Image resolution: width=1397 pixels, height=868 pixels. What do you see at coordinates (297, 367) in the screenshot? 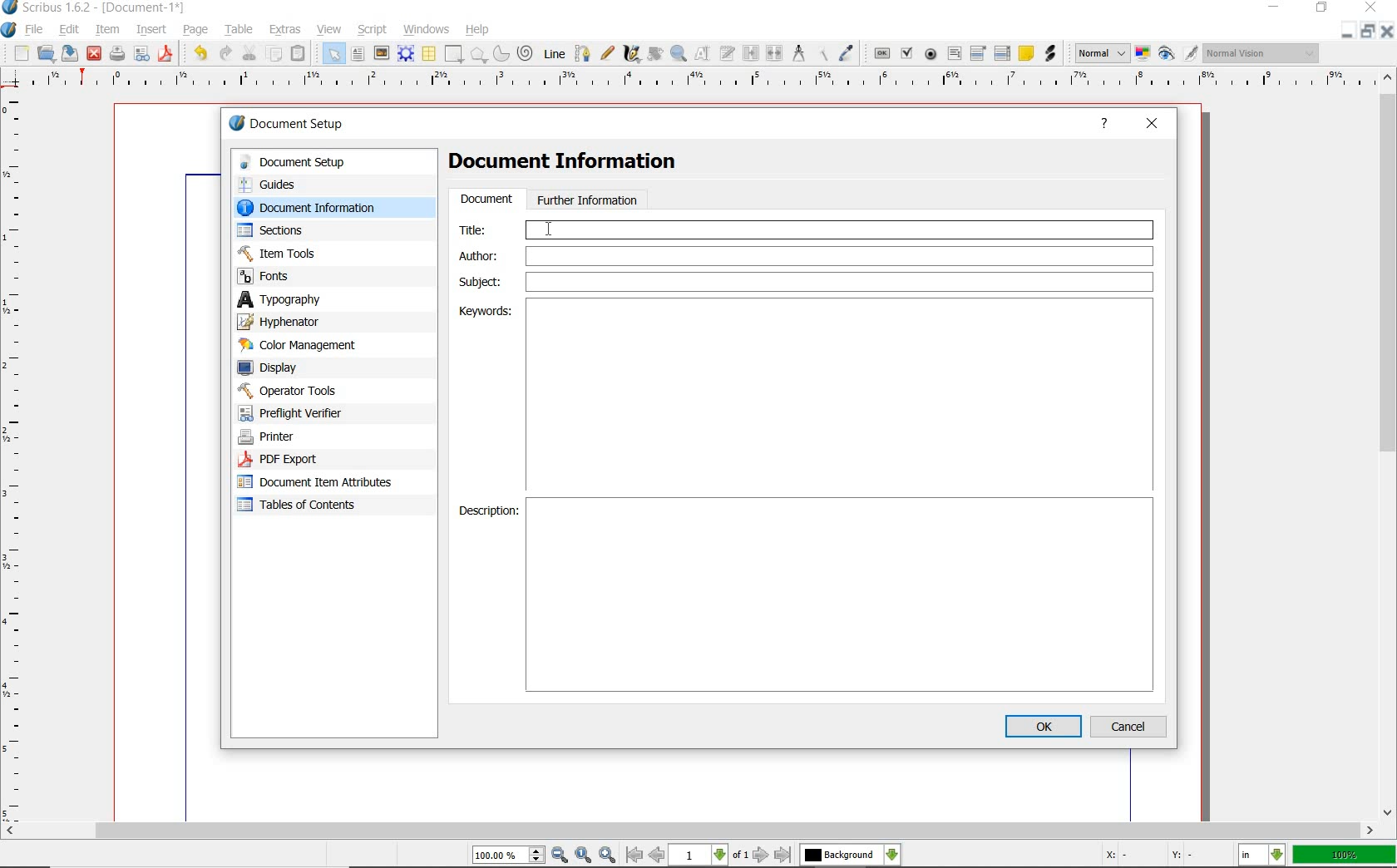
I see `display` at bounding box center [297, 367].